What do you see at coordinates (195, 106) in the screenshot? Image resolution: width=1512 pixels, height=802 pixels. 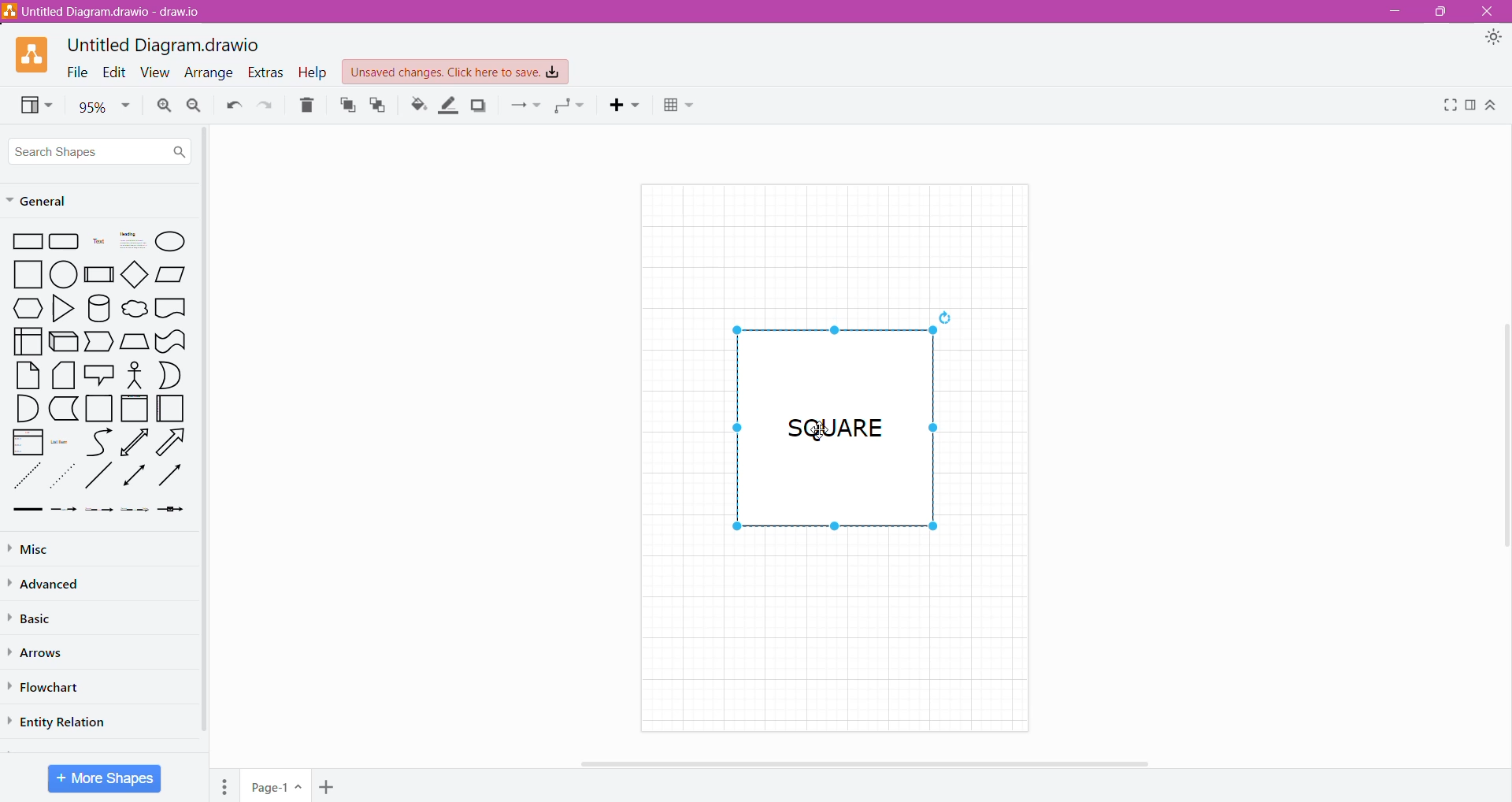 I see `Zoom Out` at bounding box center [195, 106].